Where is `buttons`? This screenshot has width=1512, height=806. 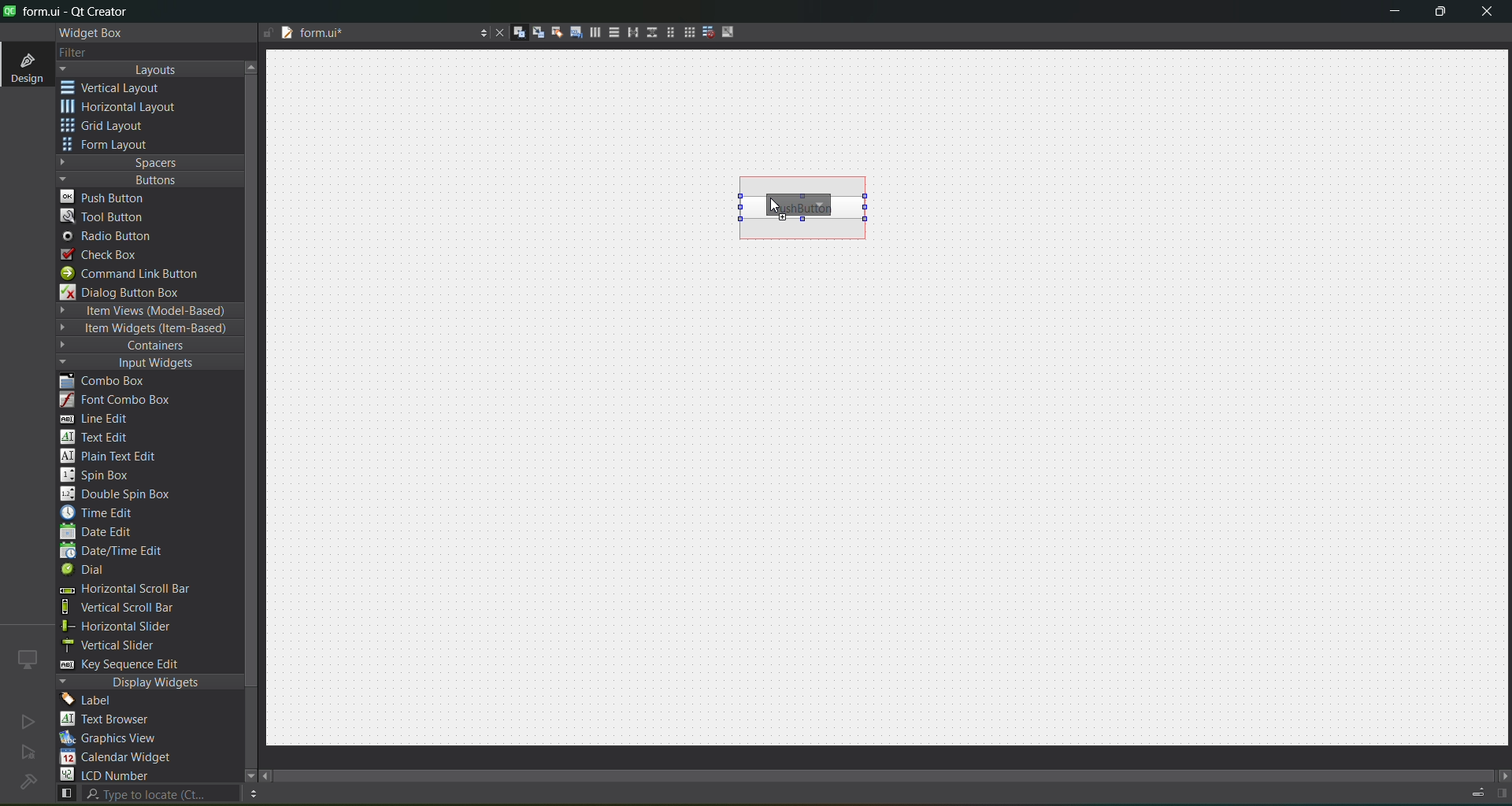
buttons is located at coordinates (146, 179).